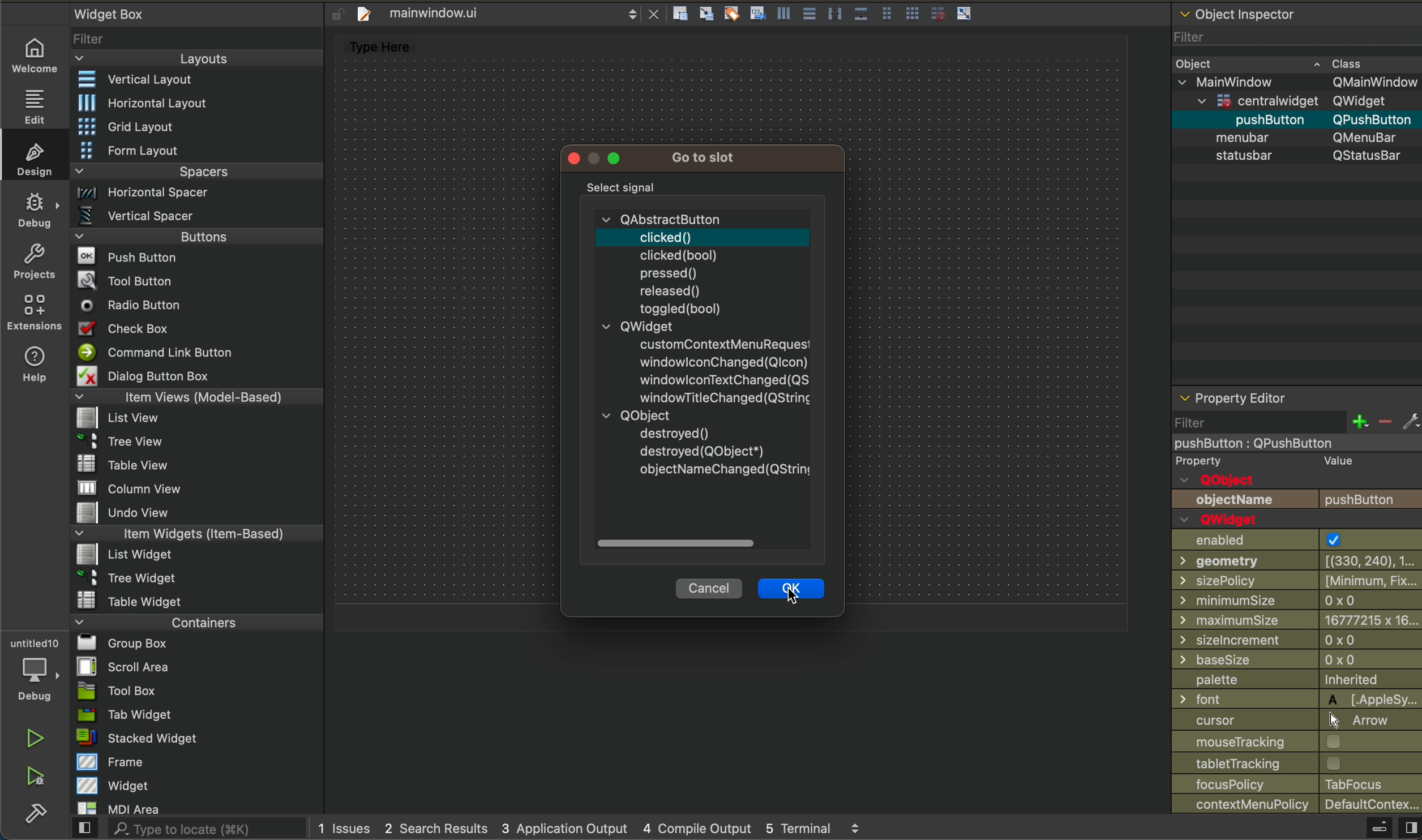  What do you see at coordinates (703, 543) in the screenshot?
I see `scroll` at bounding box center [703, 543].